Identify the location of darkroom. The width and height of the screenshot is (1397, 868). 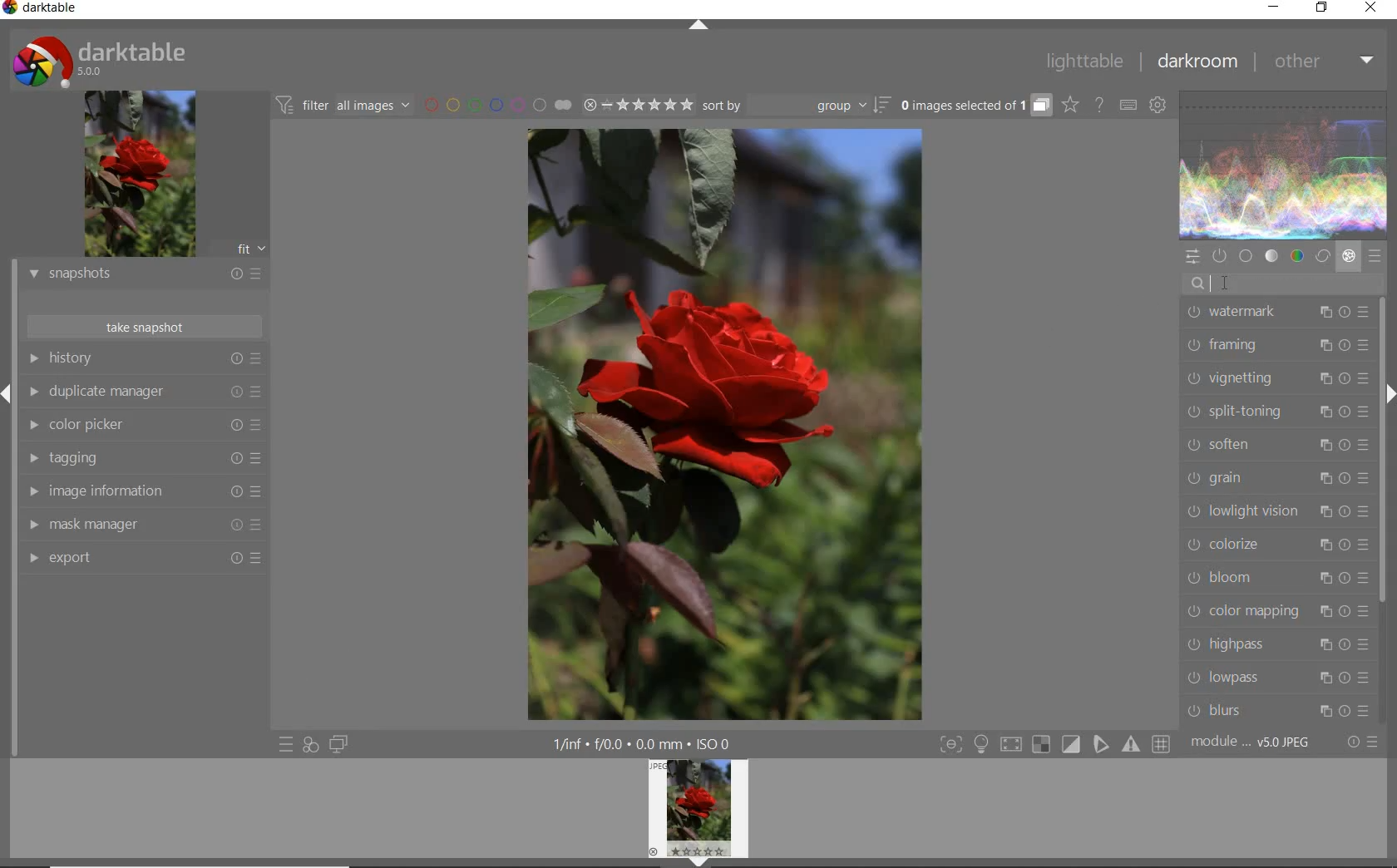
(1197, 64).